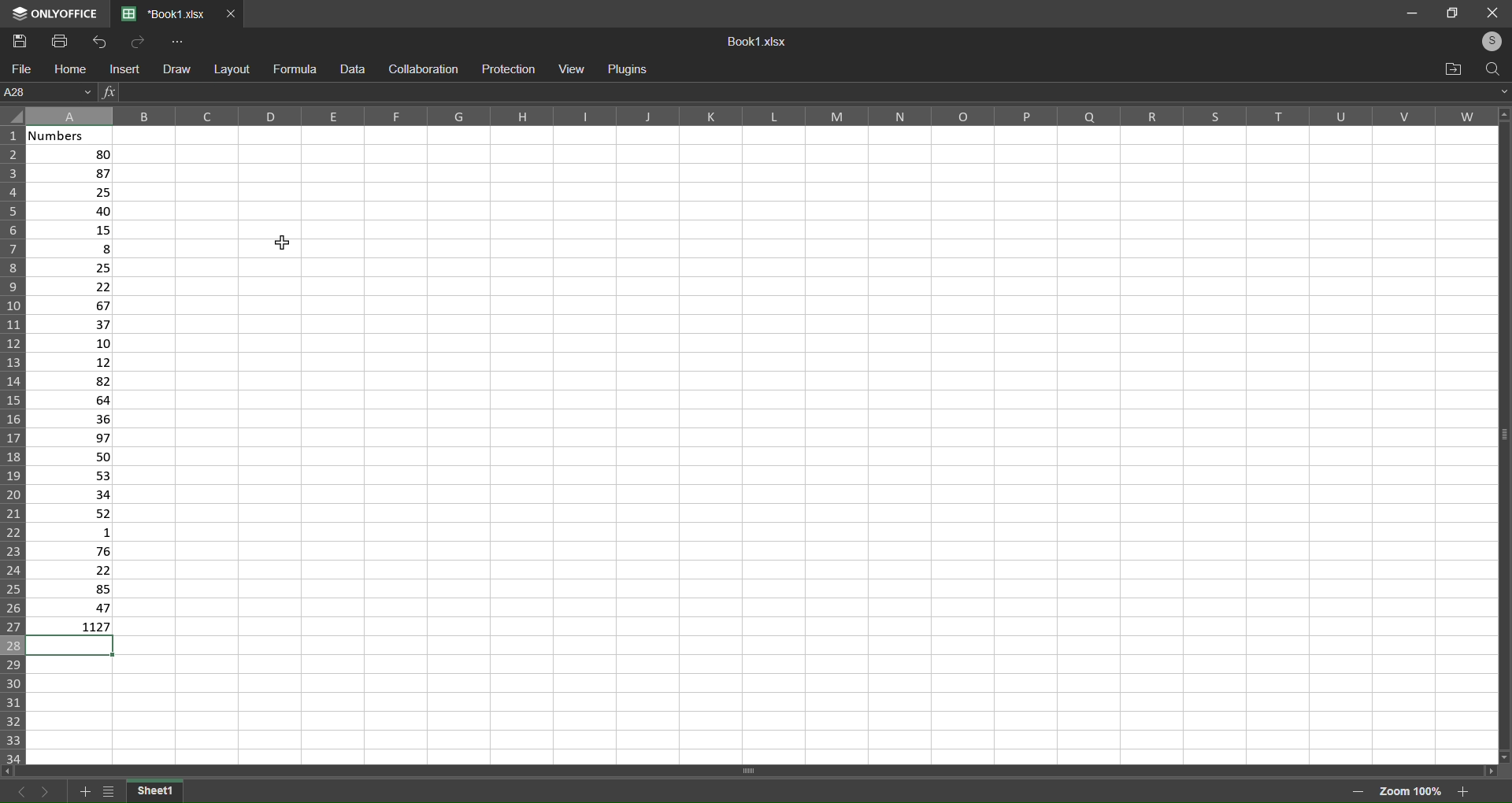 The image size is (1512, 803). Describe the element at coordinates (354, 69) in the screenshot. I see `data` at that location.